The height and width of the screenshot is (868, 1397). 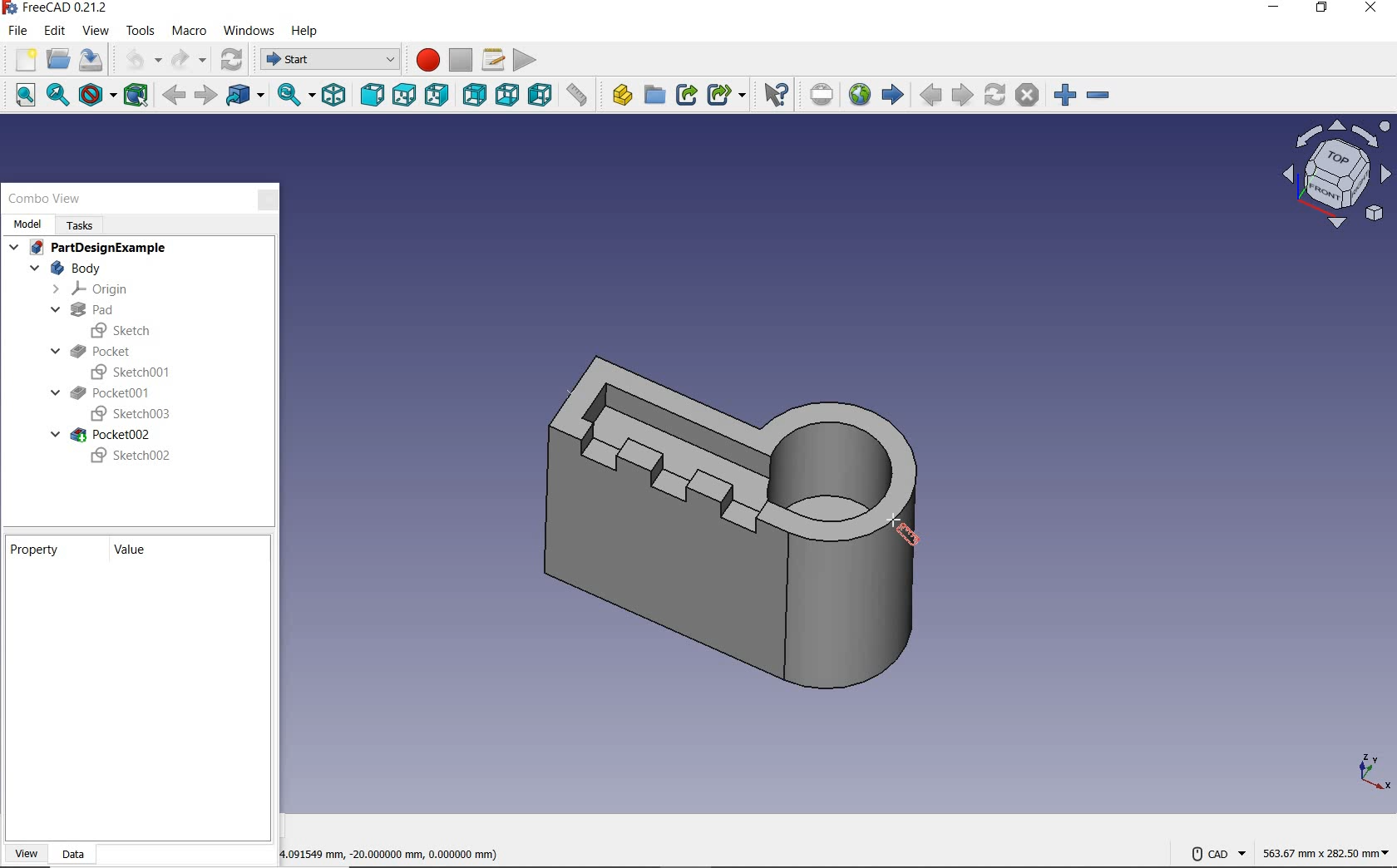 What do you see at coordinates (305, 29) in the screenshot?
I see `help` at bounding box center [305, 29].